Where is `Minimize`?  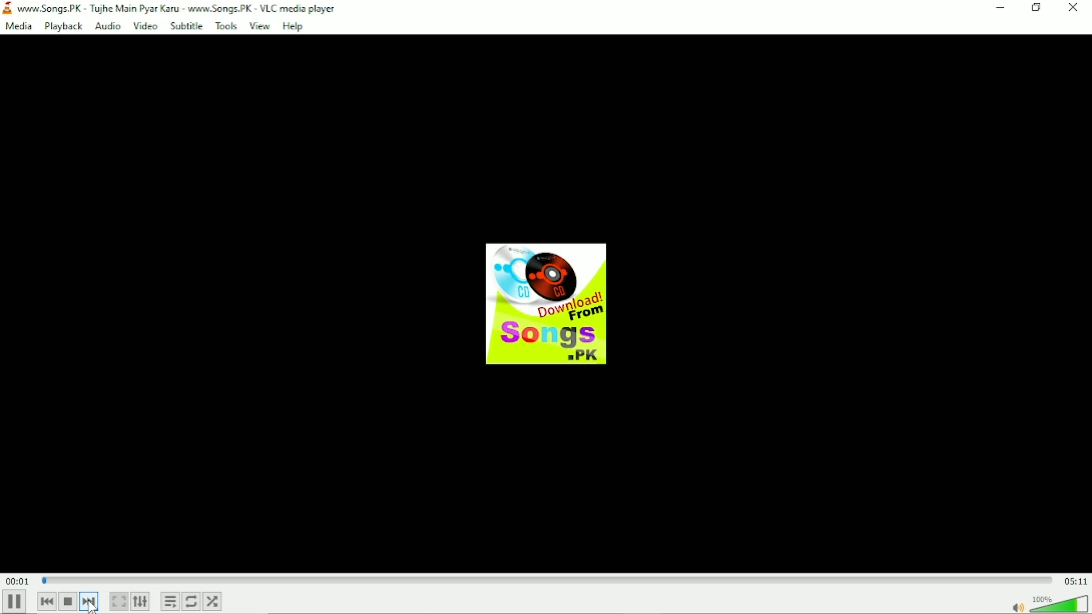
Minimize is located at coordinates (999, 9).